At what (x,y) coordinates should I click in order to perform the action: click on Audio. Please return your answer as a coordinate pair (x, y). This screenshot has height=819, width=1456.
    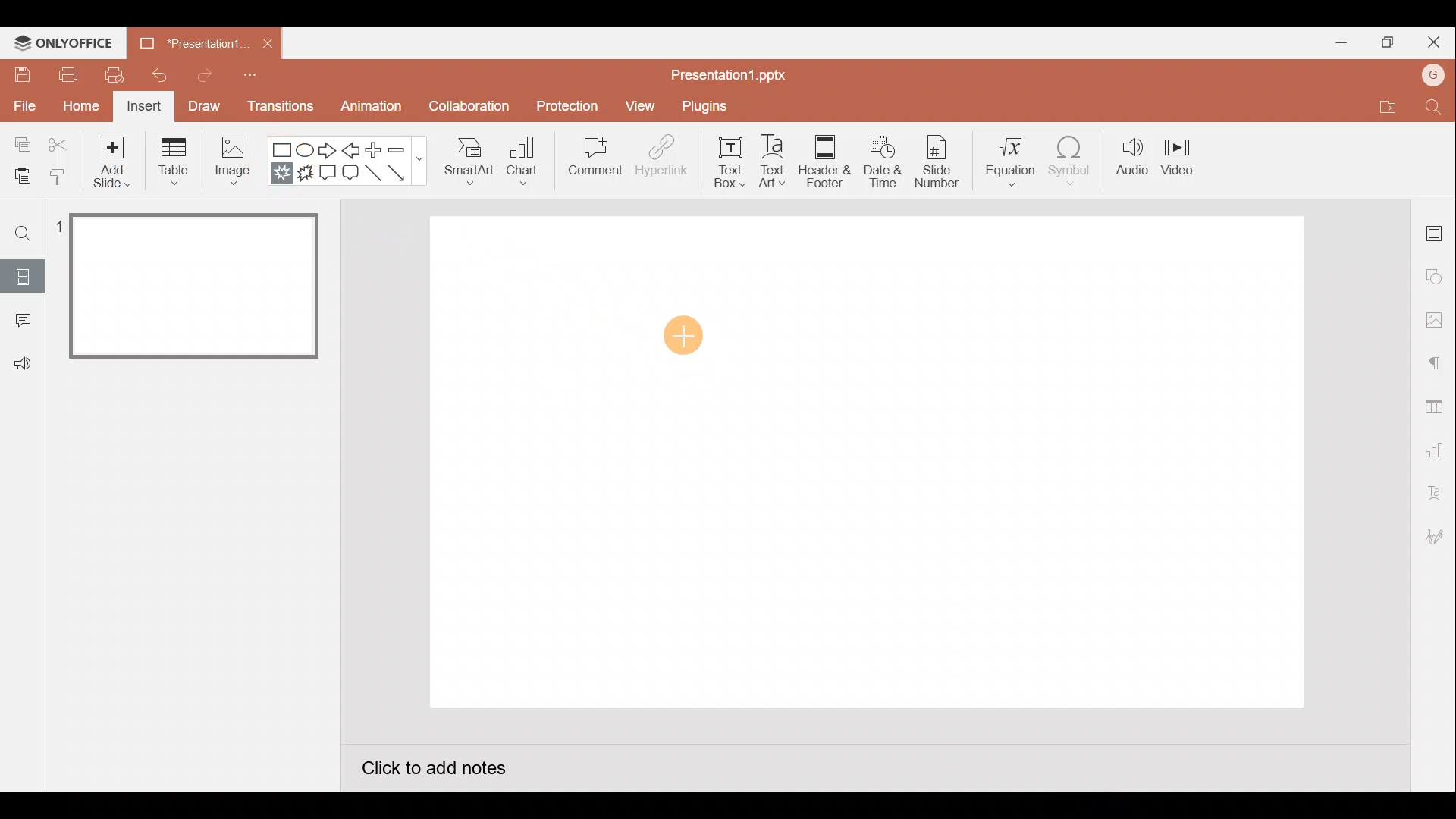
    Looking at the image, I should click on (1130, 162).